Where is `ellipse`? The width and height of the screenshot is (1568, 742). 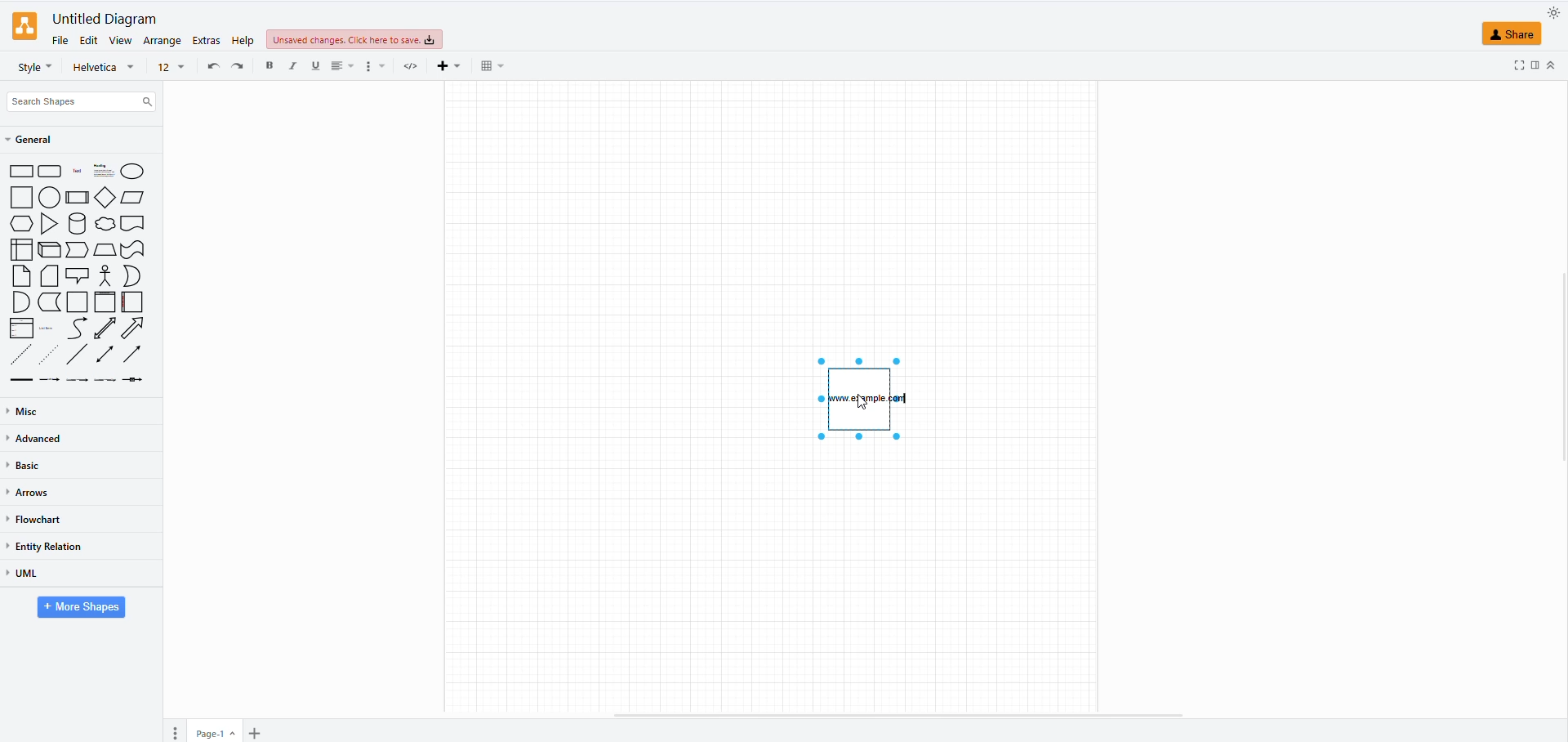 ellipse is located at coordinates (131, 171).